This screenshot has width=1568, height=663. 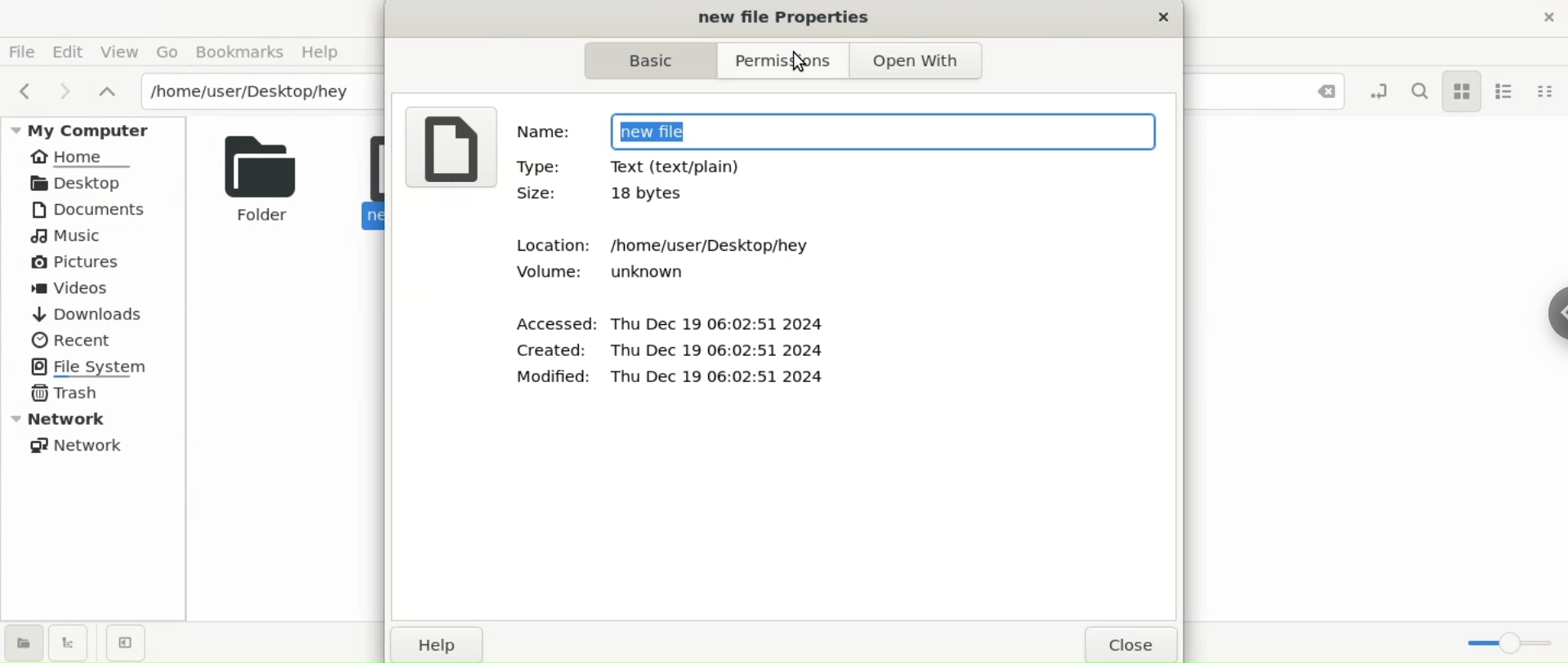 What do you see at coordinates (22, 51) in the screenshot?
I see `File` at bounding box center [22, 51].